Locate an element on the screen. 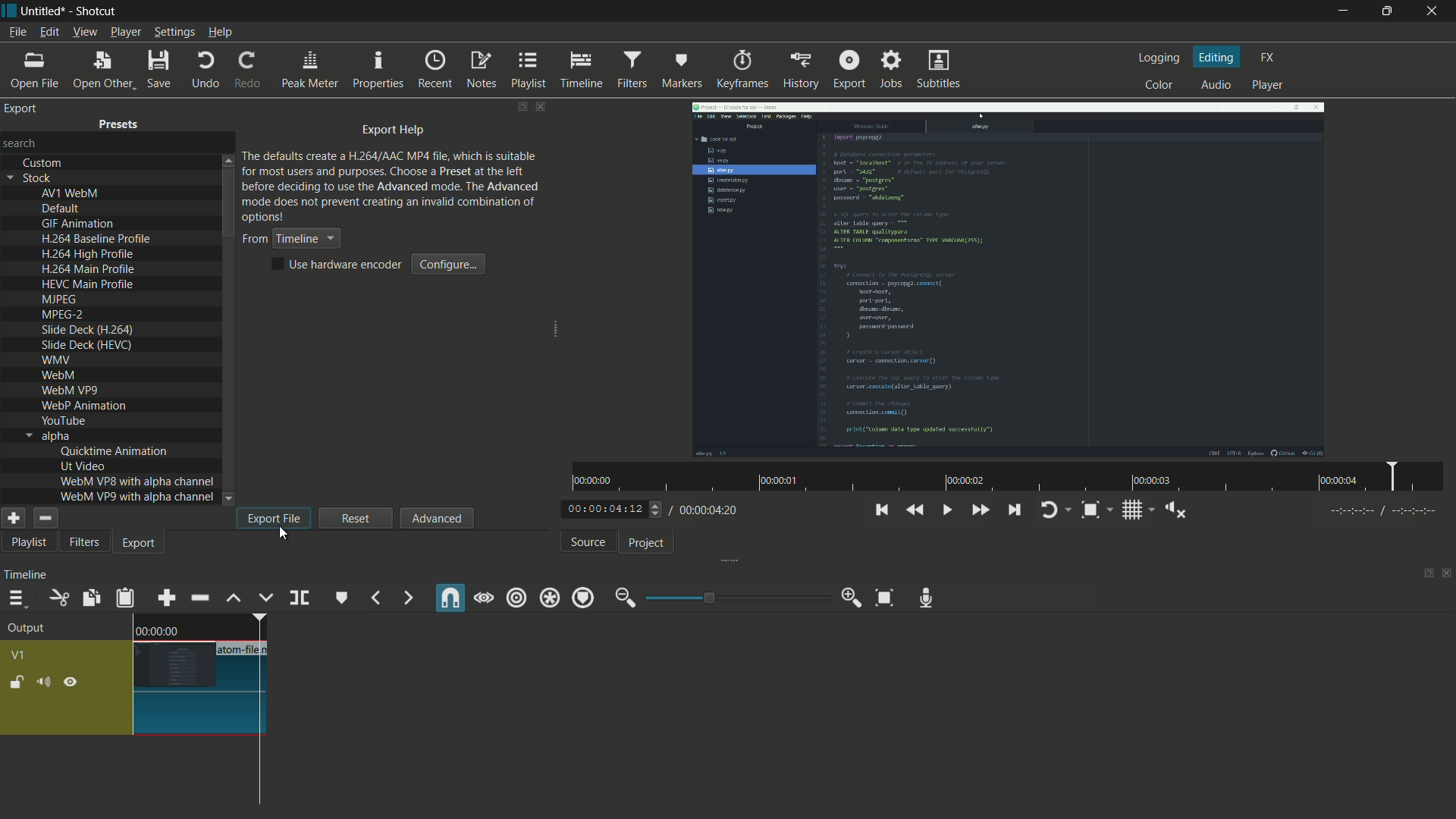 The image size is (1456, 819). previous marker is located at coordinates (374, 599).